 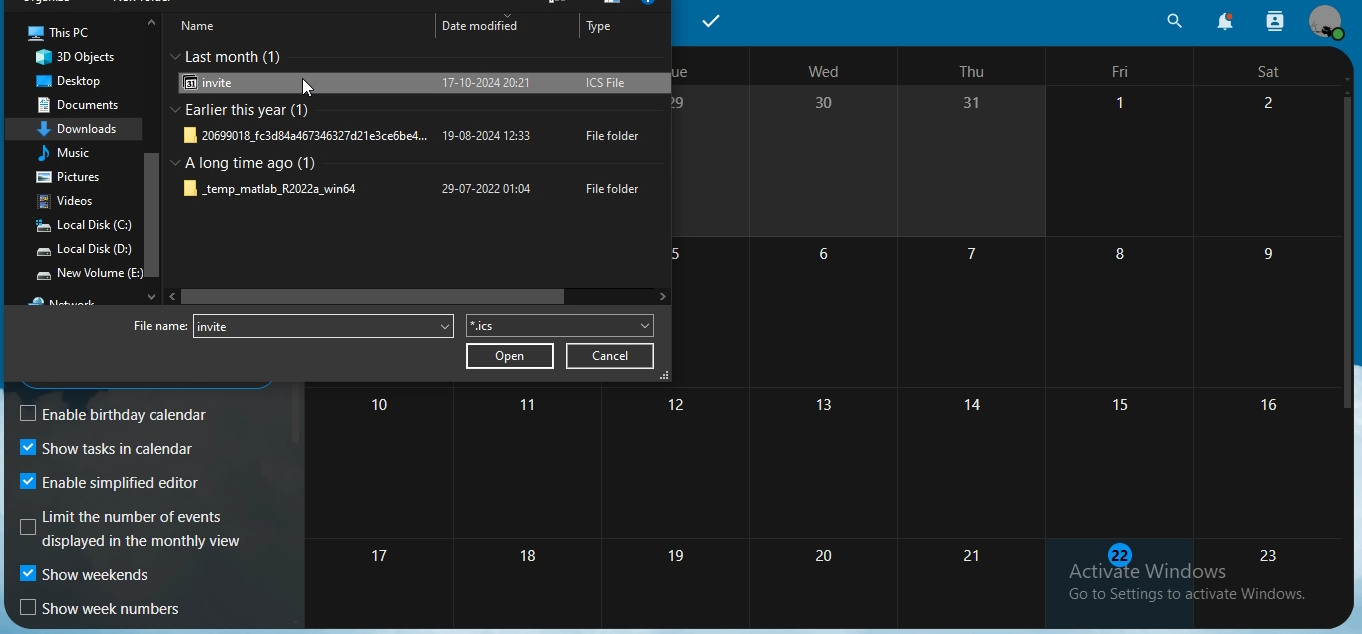 I want to click on this pc, so click(x=56, y=31).